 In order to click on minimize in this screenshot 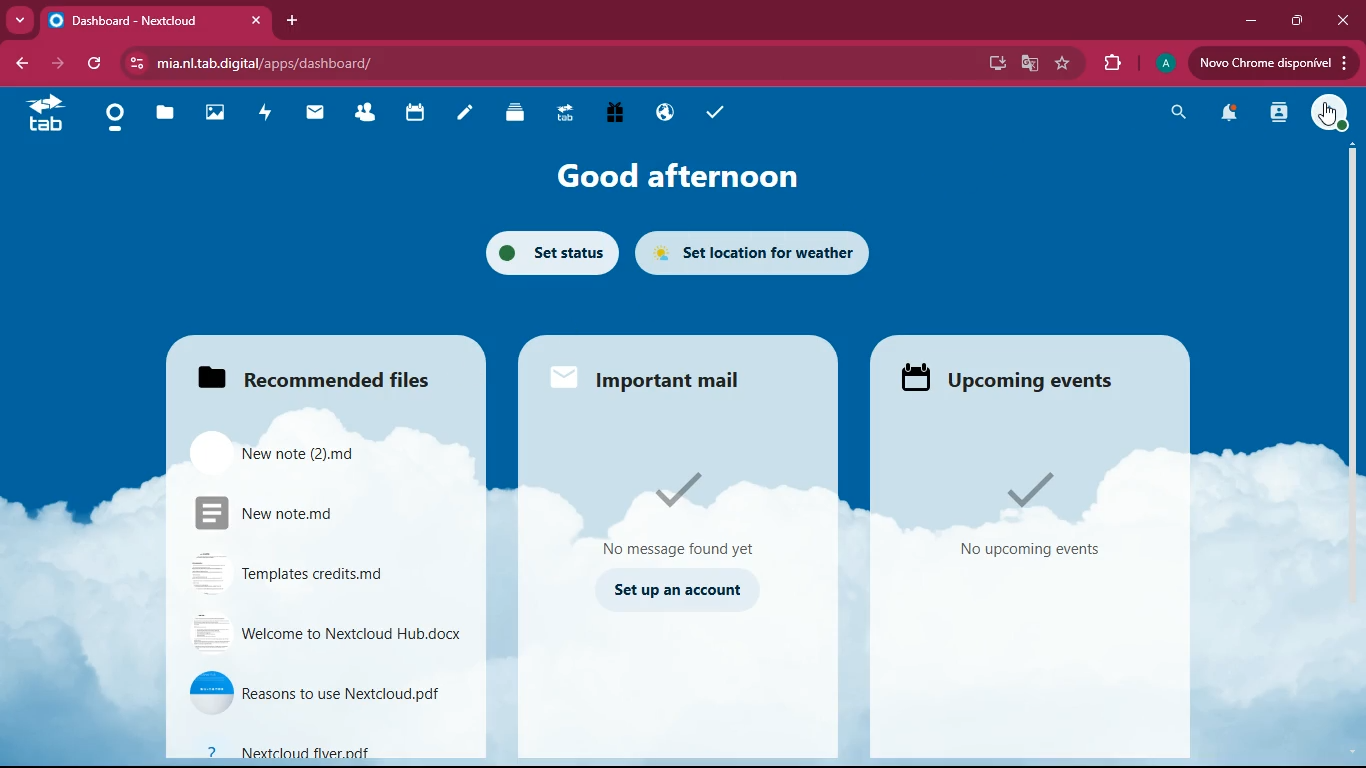, I will do `click(1256, 22)`.